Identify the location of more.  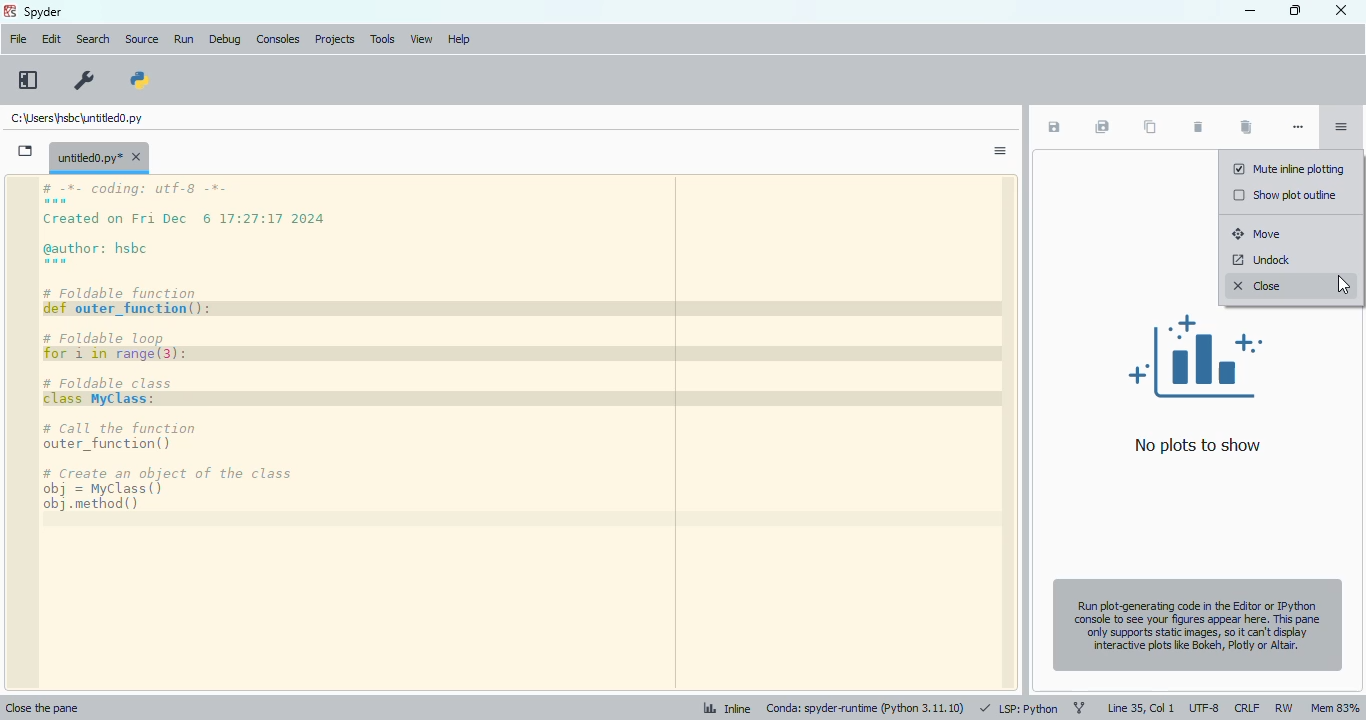
(1299, 127).